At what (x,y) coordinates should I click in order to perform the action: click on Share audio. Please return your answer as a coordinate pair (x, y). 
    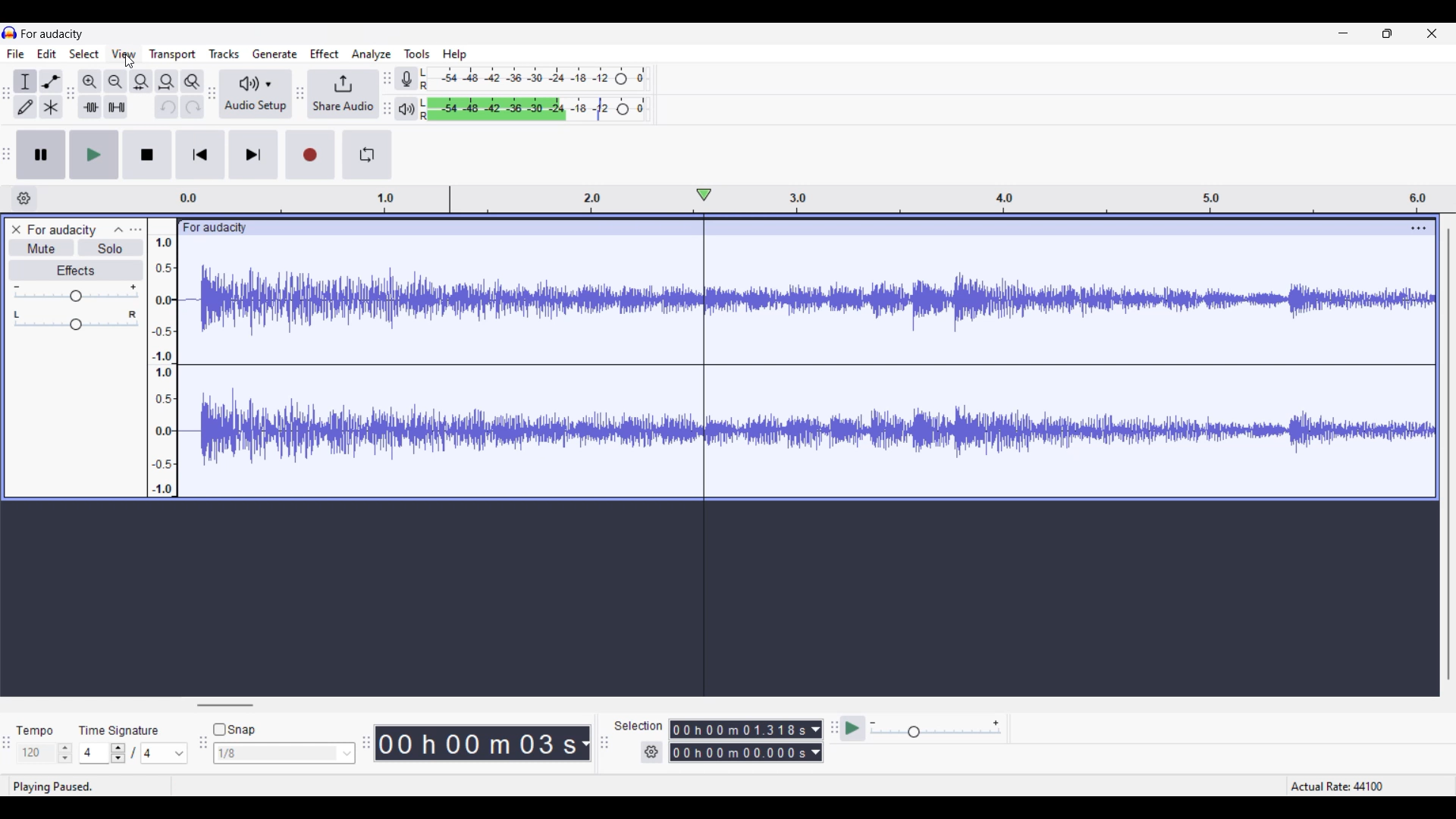
    Looking at the image, I should click on (343, 93).